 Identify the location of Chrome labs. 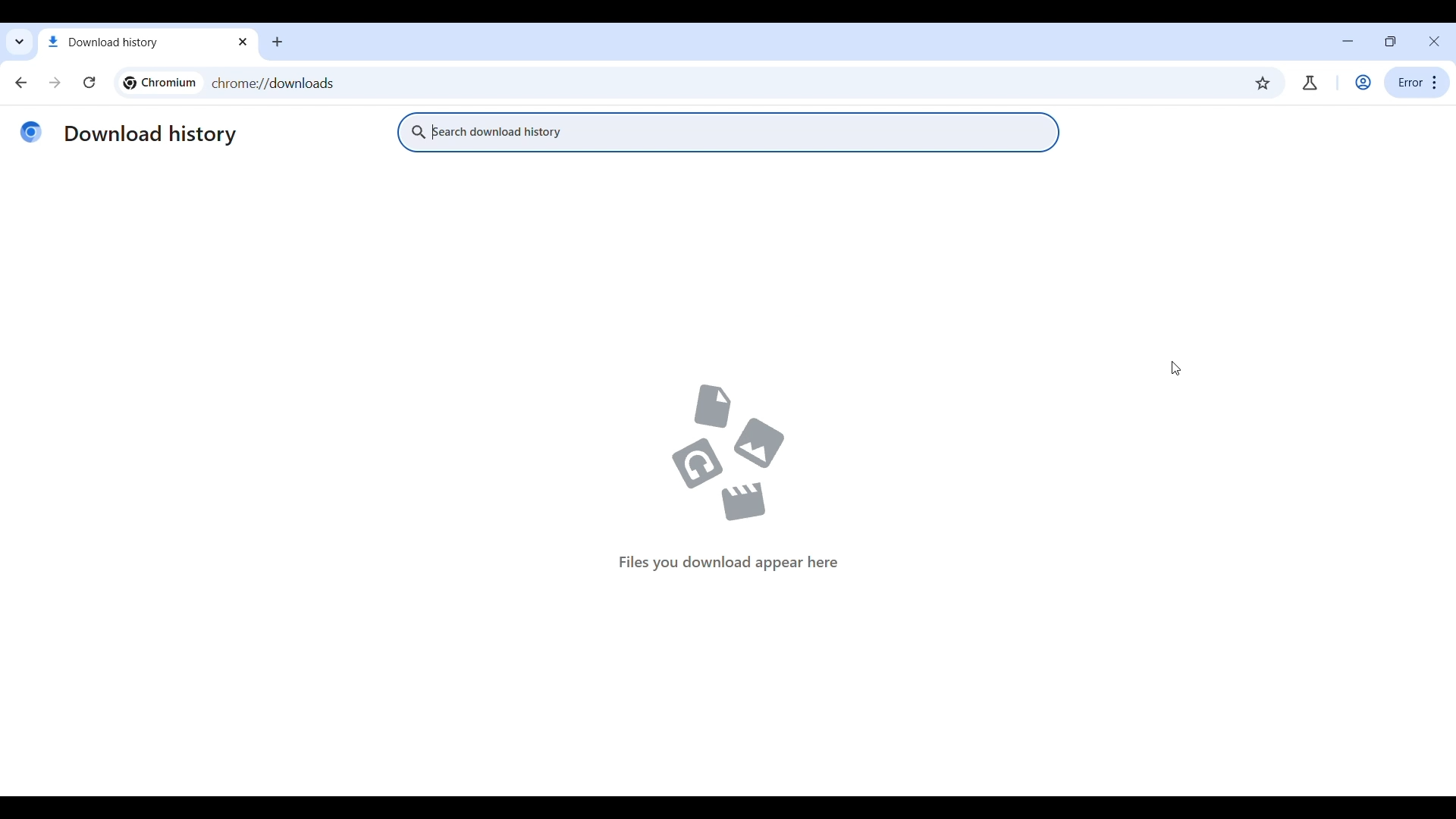
(1310, 83).